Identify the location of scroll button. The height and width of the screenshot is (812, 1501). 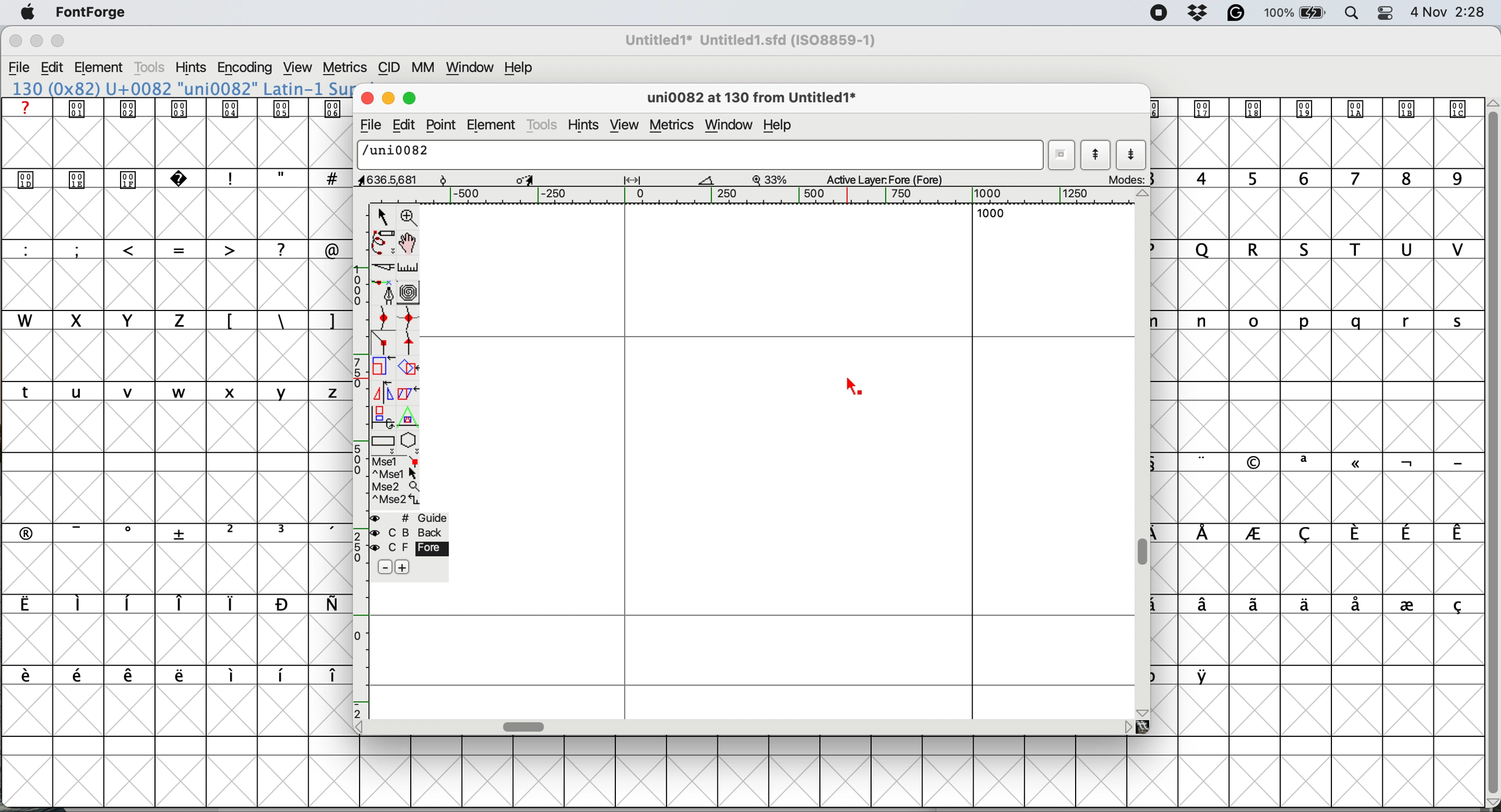
(1144, 711).